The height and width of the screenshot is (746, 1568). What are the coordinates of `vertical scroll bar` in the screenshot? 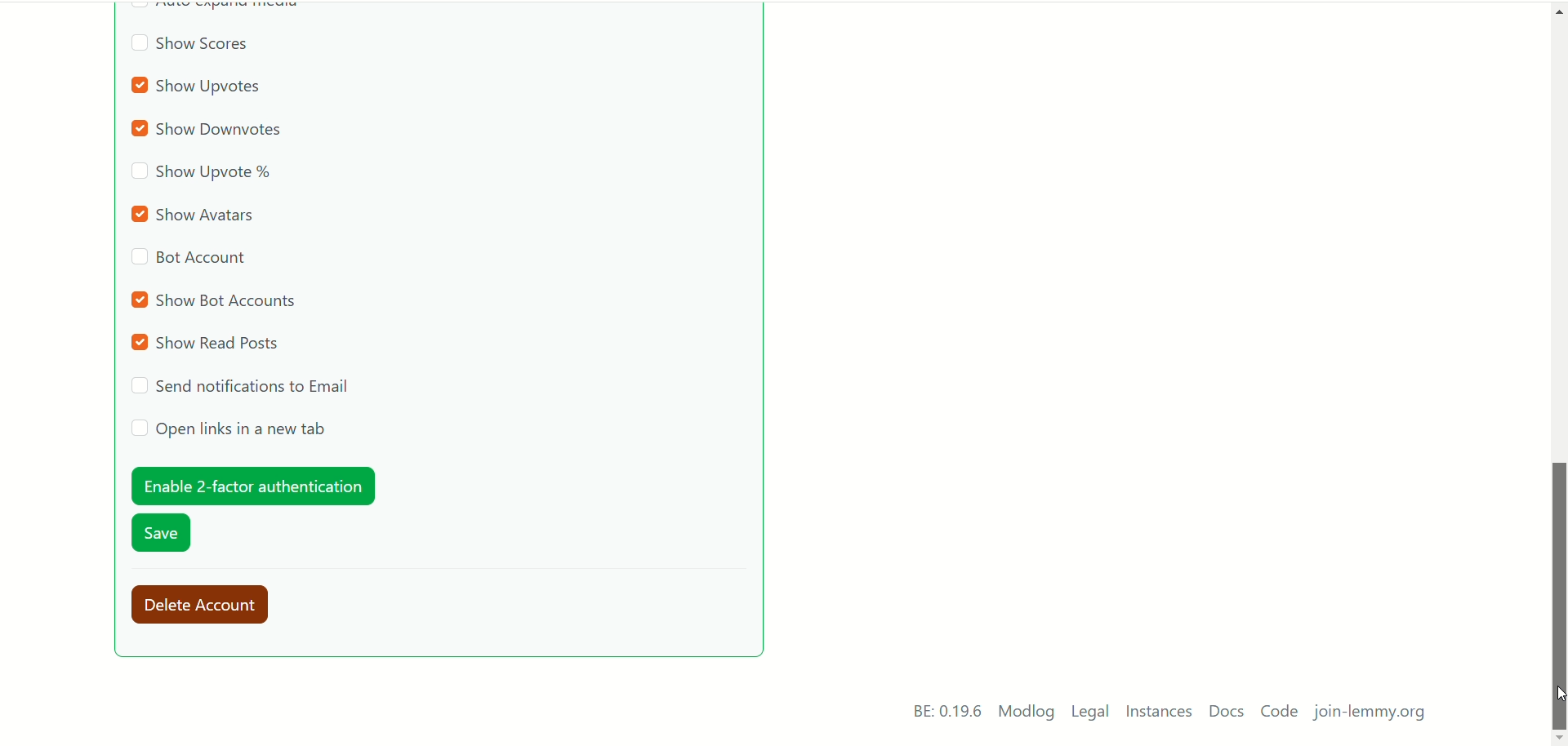 It's located at (1558, 367).